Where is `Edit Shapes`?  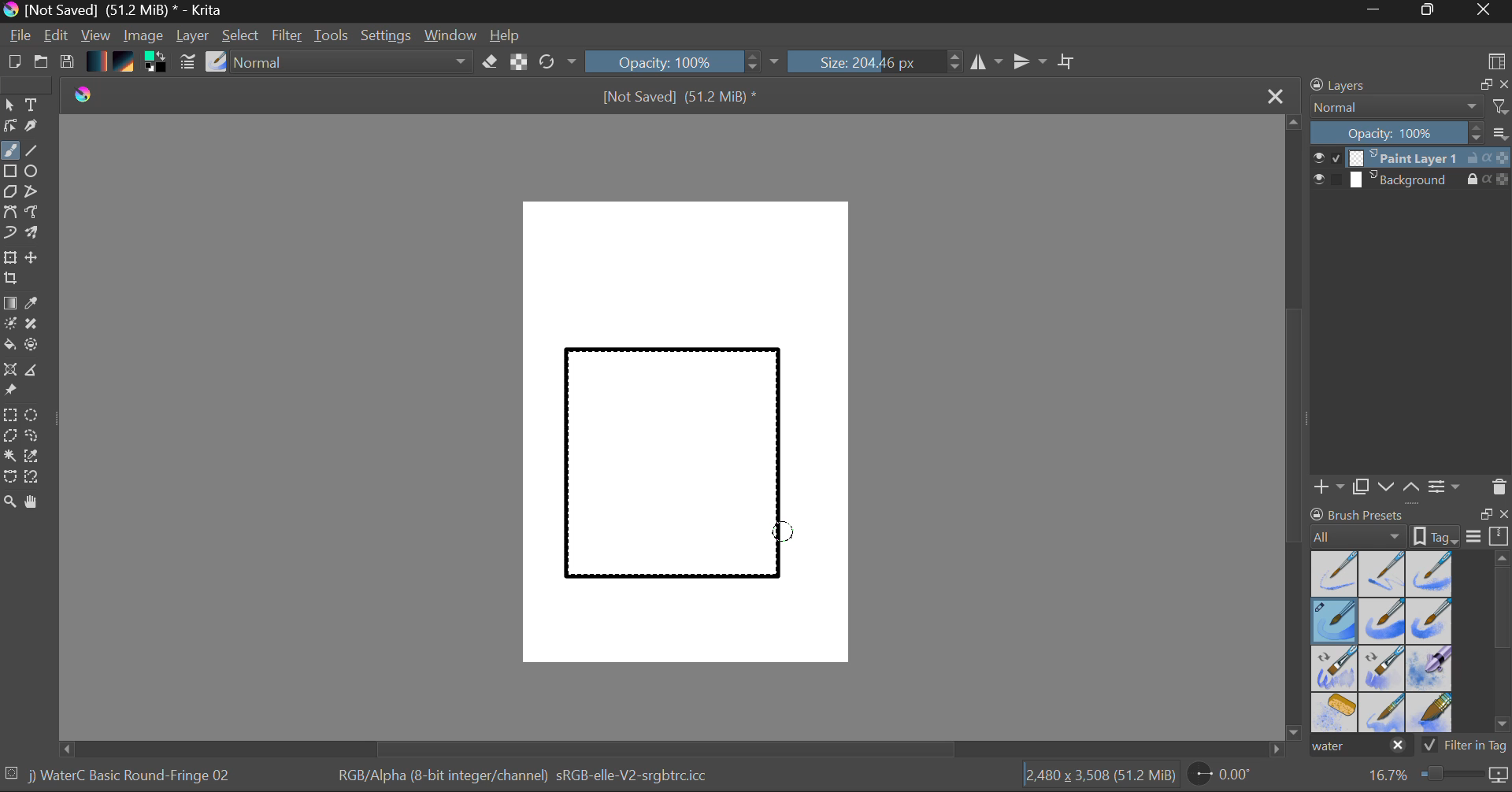 Edit Shapes is located at coordinates (9, 128).